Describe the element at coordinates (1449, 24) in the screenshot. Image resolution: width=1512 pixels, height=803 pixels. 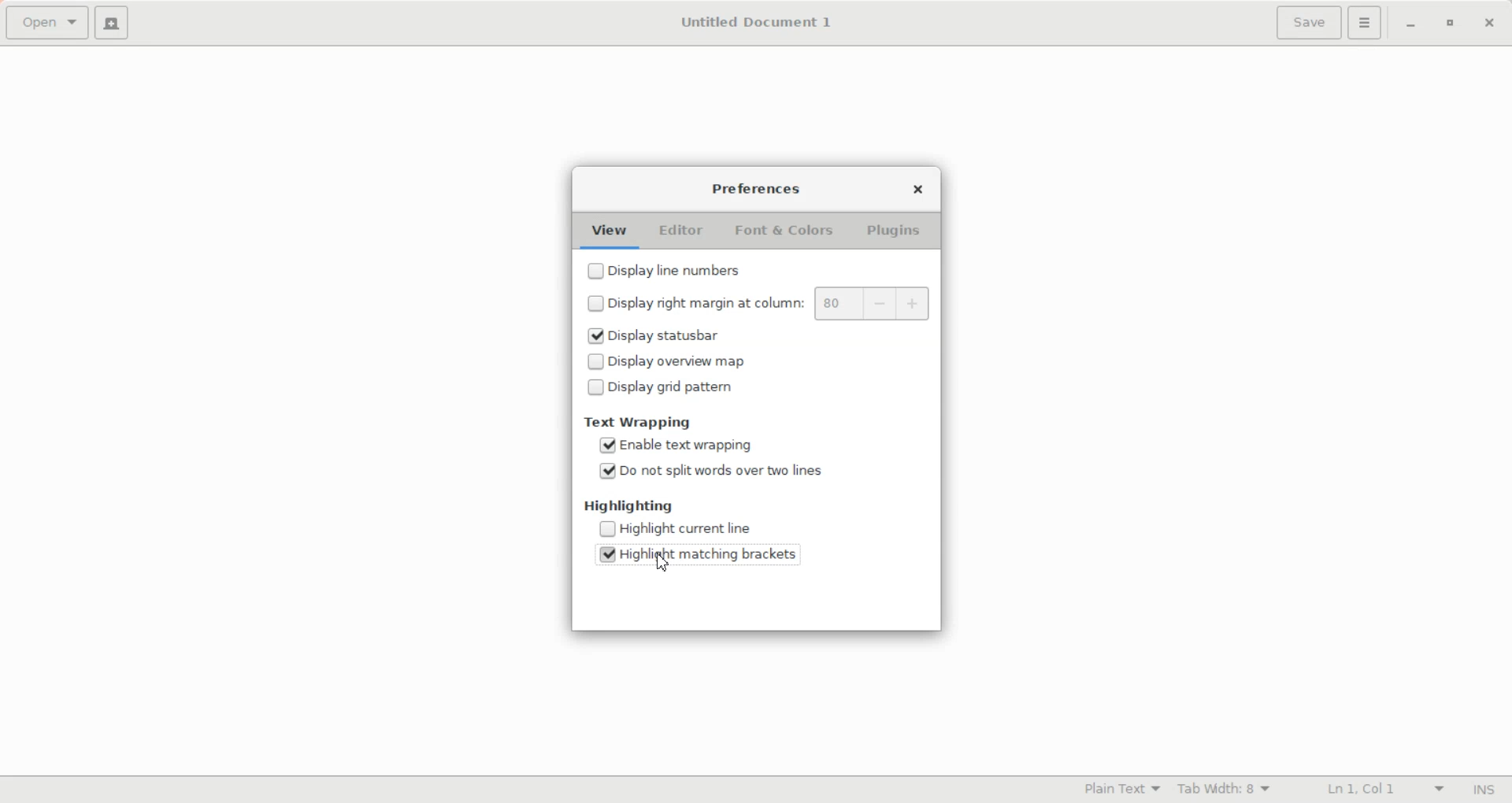
I see `Maximize` at that location.